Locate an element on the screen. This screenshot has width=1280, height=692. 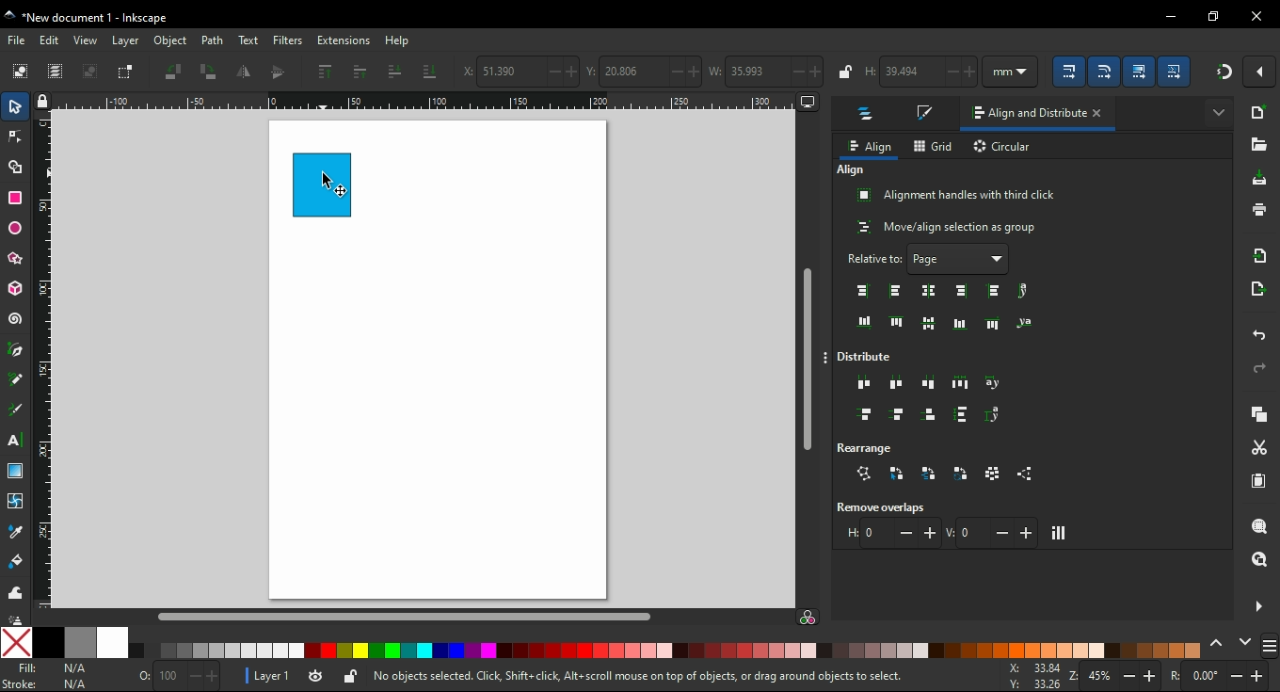
width of selection is located at coordinates (766, 71).